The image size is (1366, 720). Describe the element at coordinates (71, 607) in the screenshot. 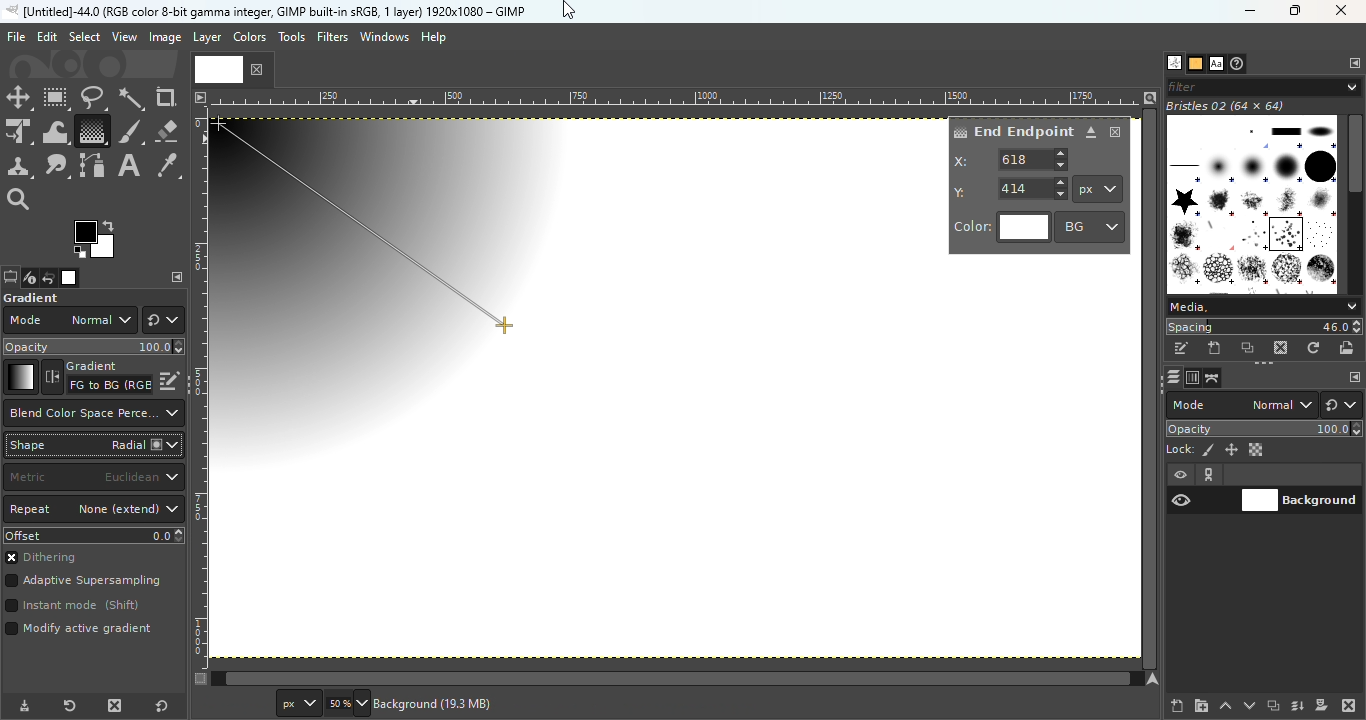

I see `Instant mode` at that location.